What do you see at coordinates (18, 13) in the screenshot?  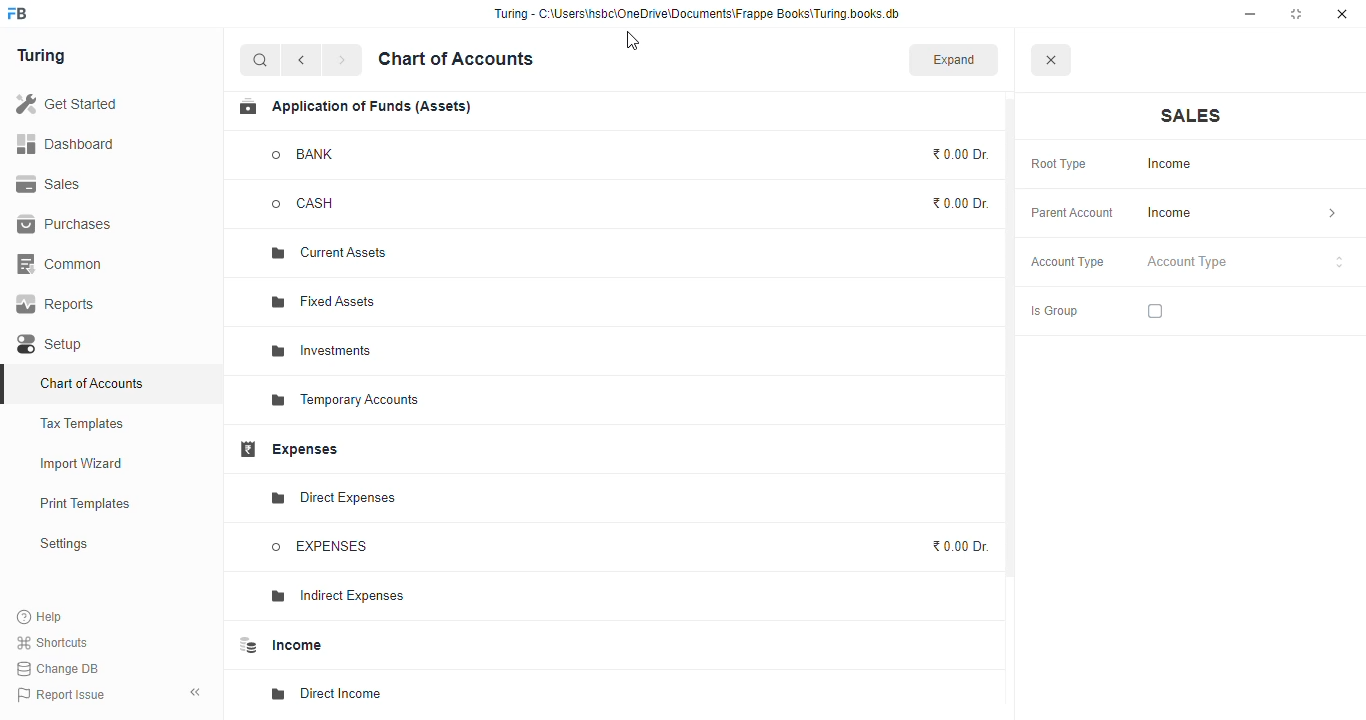 I see `logo` at bounding box center [18, 13].